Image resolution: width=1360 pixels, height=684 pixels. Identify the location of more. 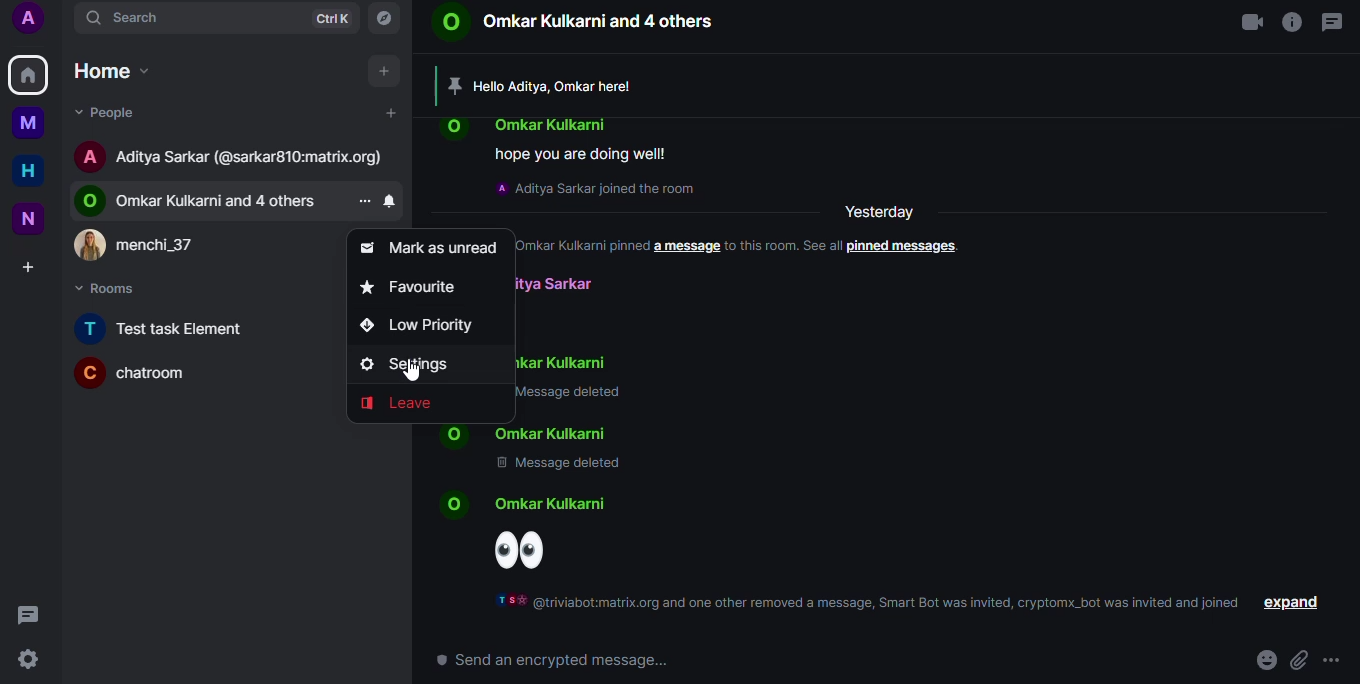
(1336, 660).